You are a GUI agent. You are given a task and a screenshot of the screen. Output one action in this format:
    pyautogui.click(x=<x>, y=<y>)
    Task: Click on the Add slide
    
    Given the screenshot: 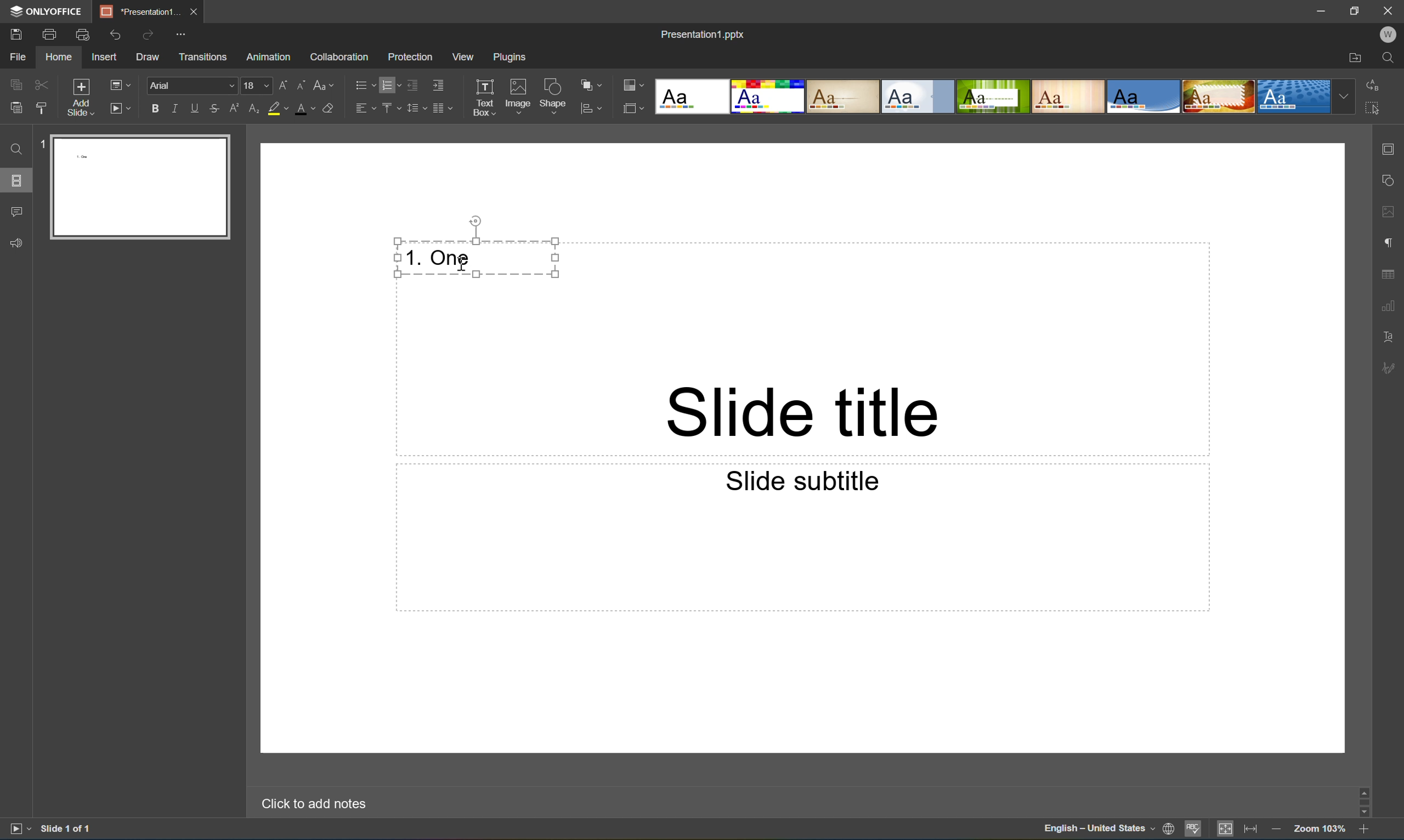 What is the action you would take?
    pyautogui.click(x=79, y=97)
    